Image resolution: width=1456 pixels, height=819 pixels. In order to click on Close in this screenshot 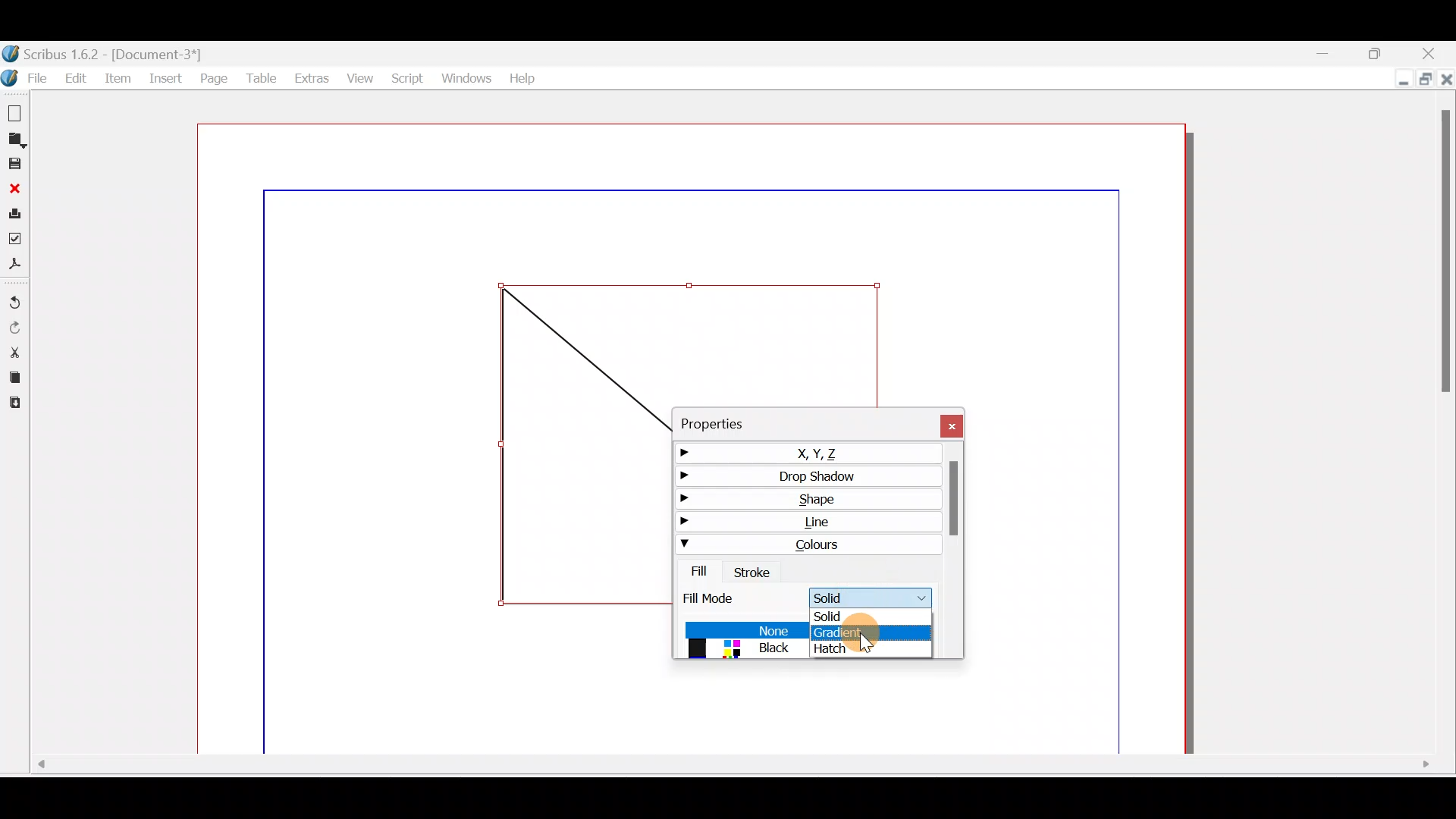, I will do `click(13, 187)`.